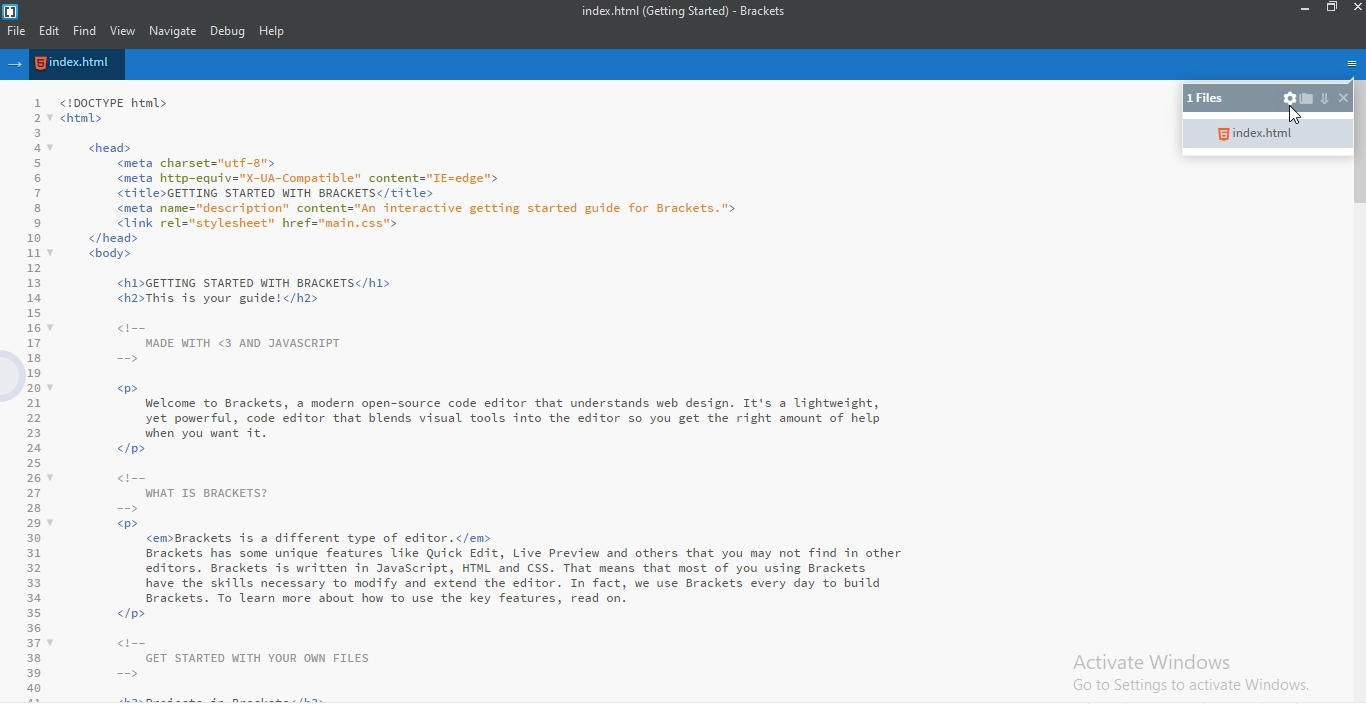  Describe the element at coordinates (1265, 133) in the screenshot. I see `index.html` at that location.